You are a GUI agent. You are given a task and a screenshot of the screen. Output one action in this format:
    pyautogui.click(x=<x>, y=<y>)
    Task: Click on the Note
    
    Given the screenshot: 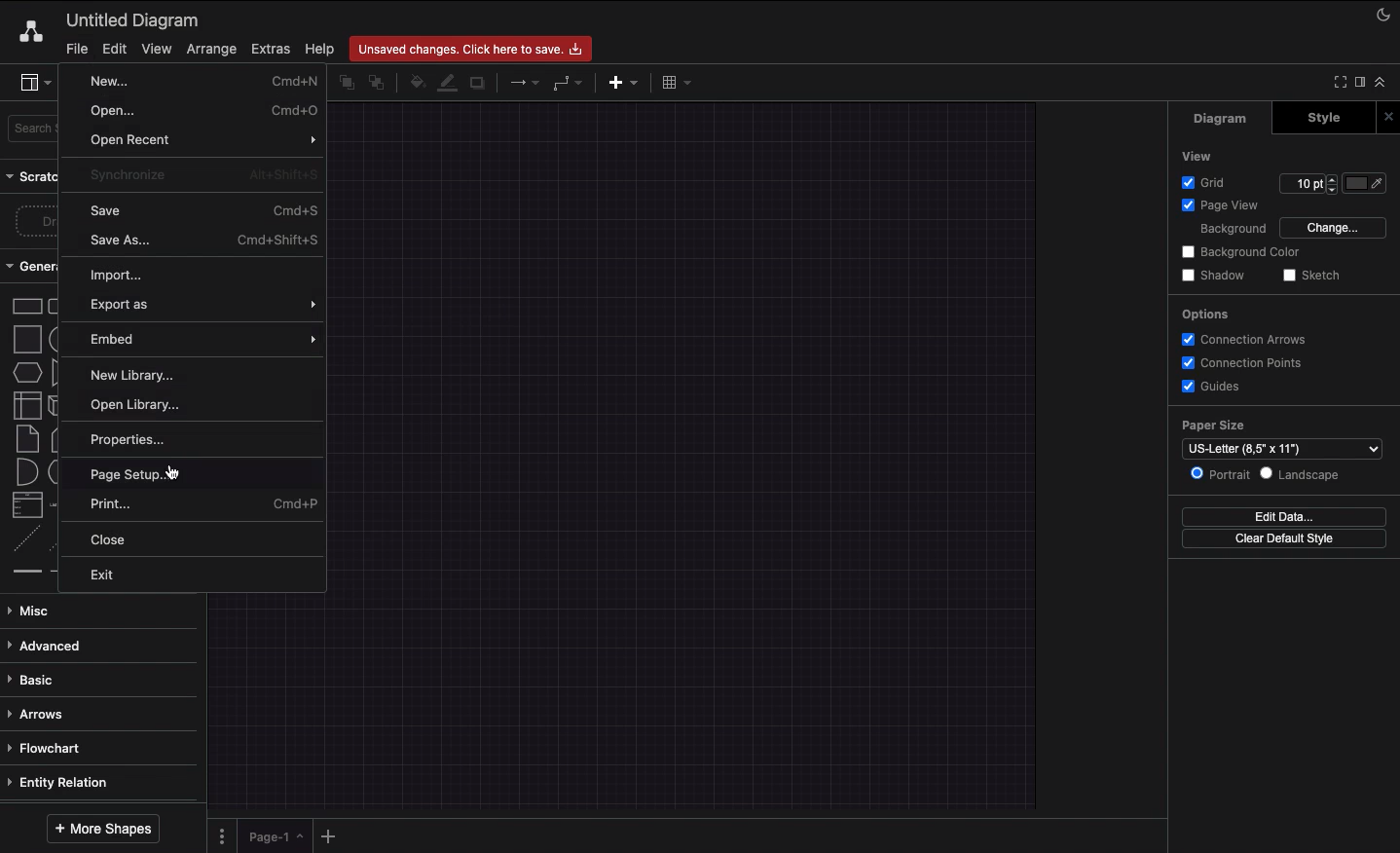 What is the action you would take?
    pyautogui.click(x=25, y=439)
    